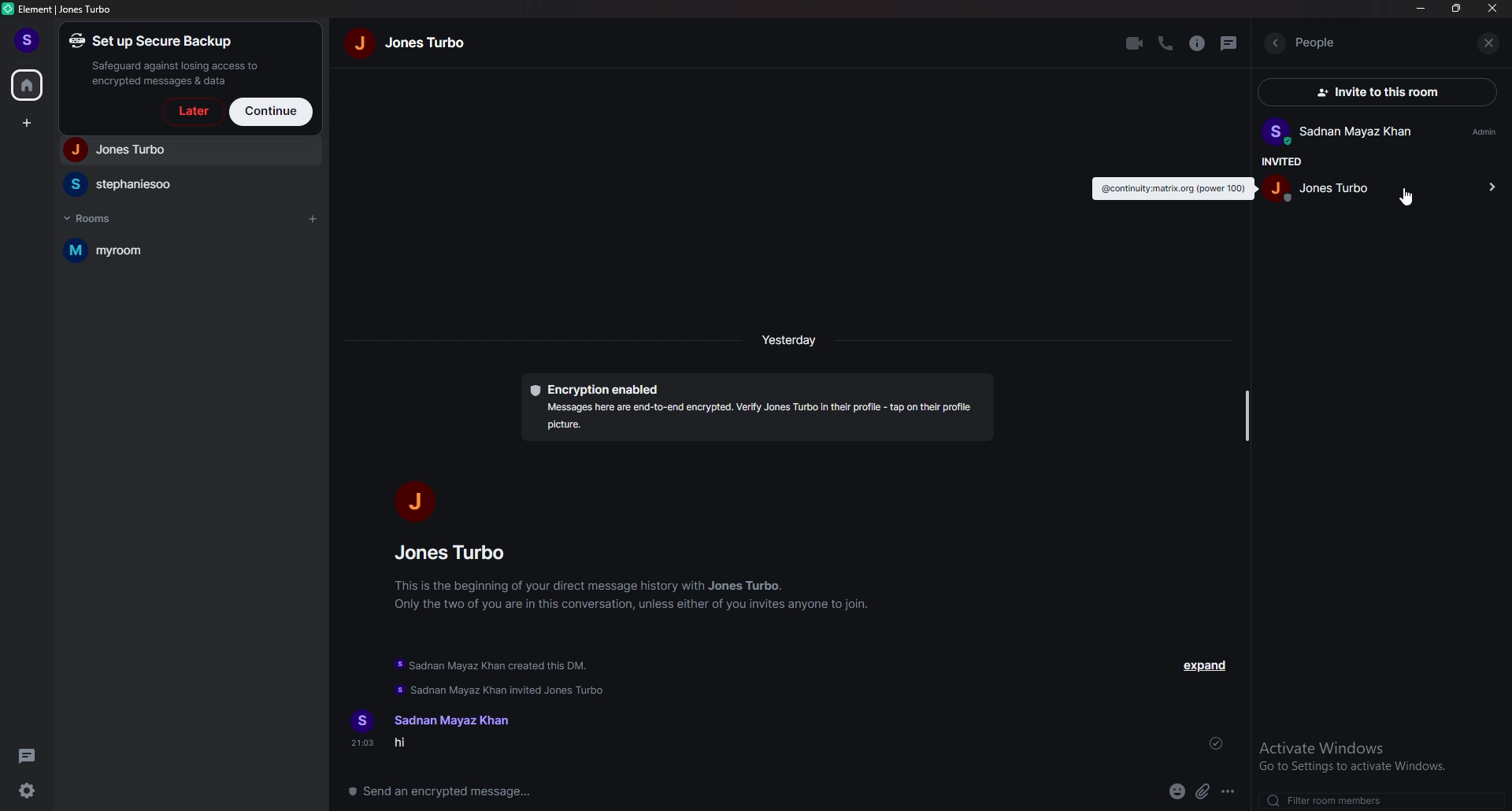 The height and width of the screenshot is (811, 1512). I want to click on threads, so click(1230, 43).